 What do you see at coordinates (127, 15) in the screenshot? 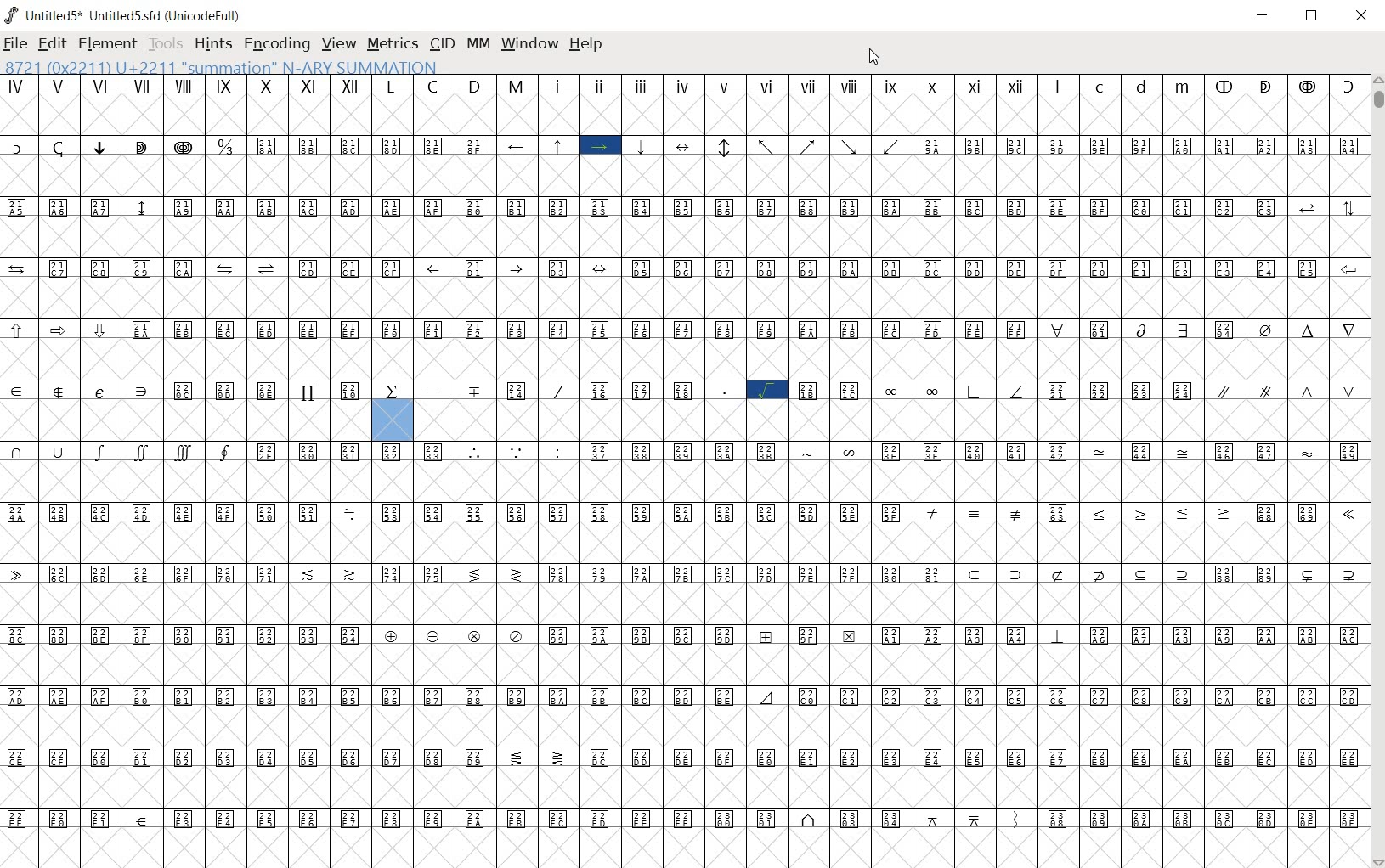
I see `Untitled5* Untitled5.sfd (UnicodeFull)` at bounding box center [127, 15].